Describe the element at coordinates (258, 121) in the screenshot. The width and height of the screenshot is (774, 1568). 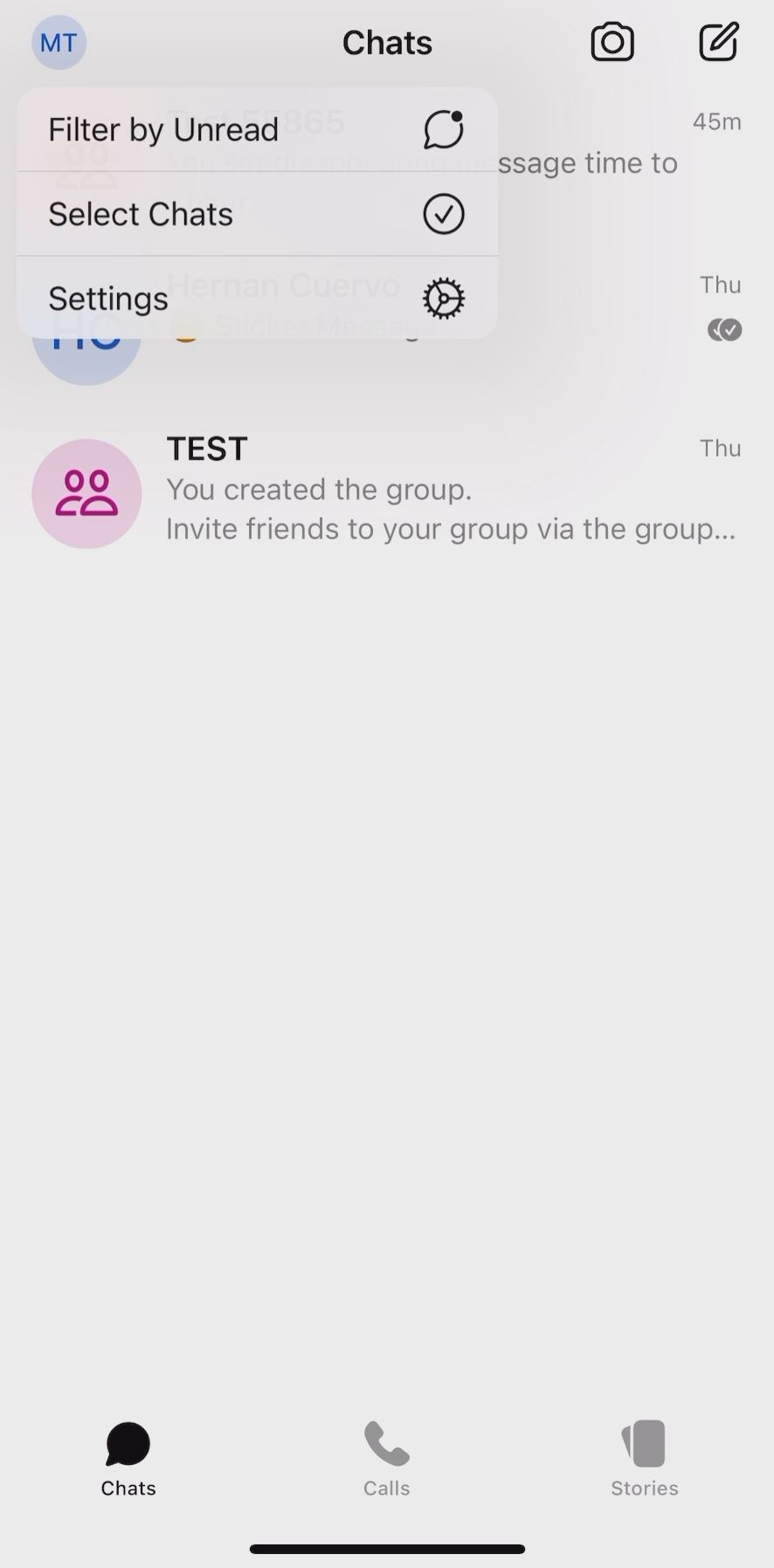
I see `filter by unread` at that location.